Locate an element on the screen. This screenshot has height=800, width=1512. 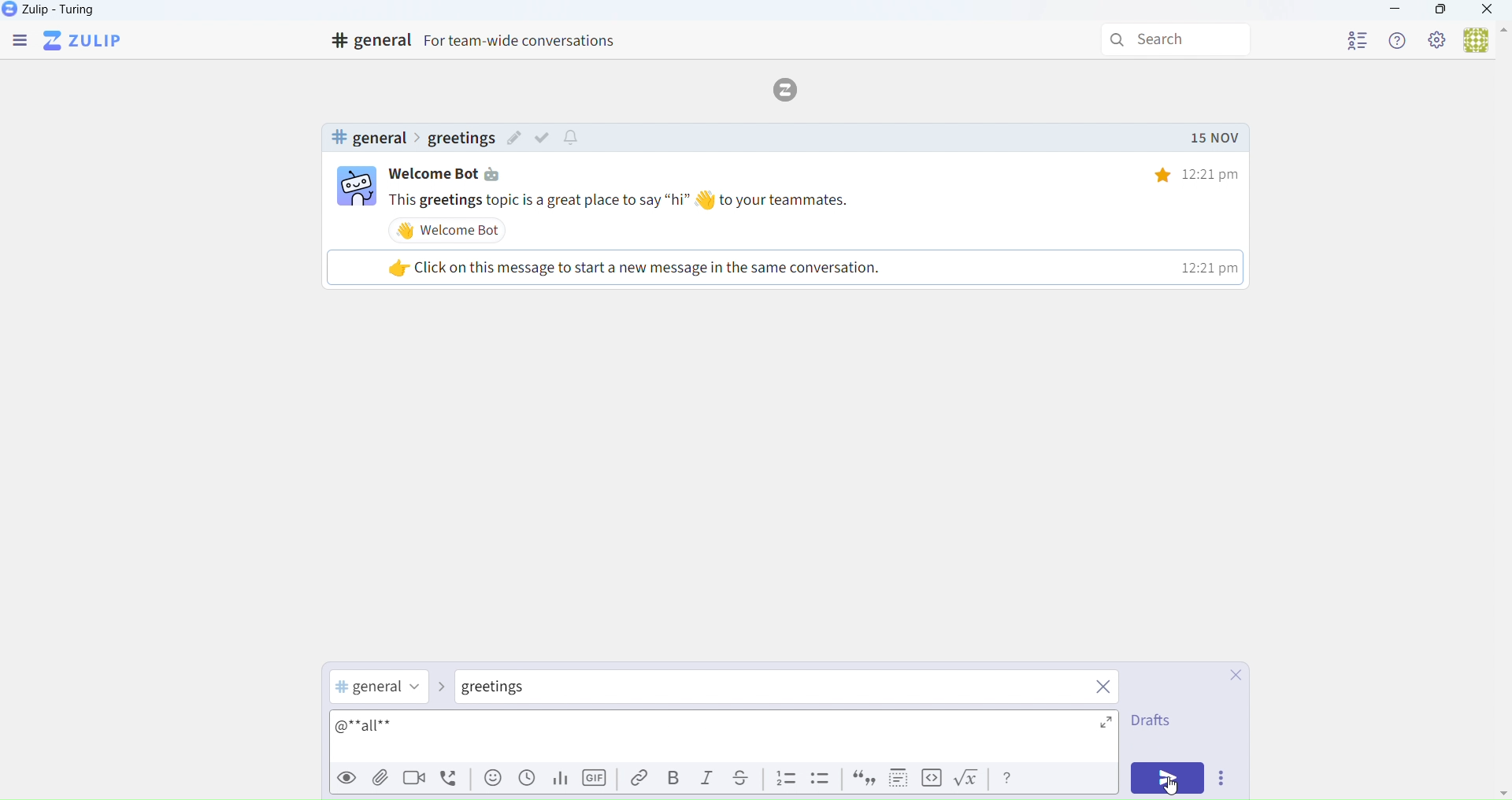
Code is located at coordinates (930, 779).